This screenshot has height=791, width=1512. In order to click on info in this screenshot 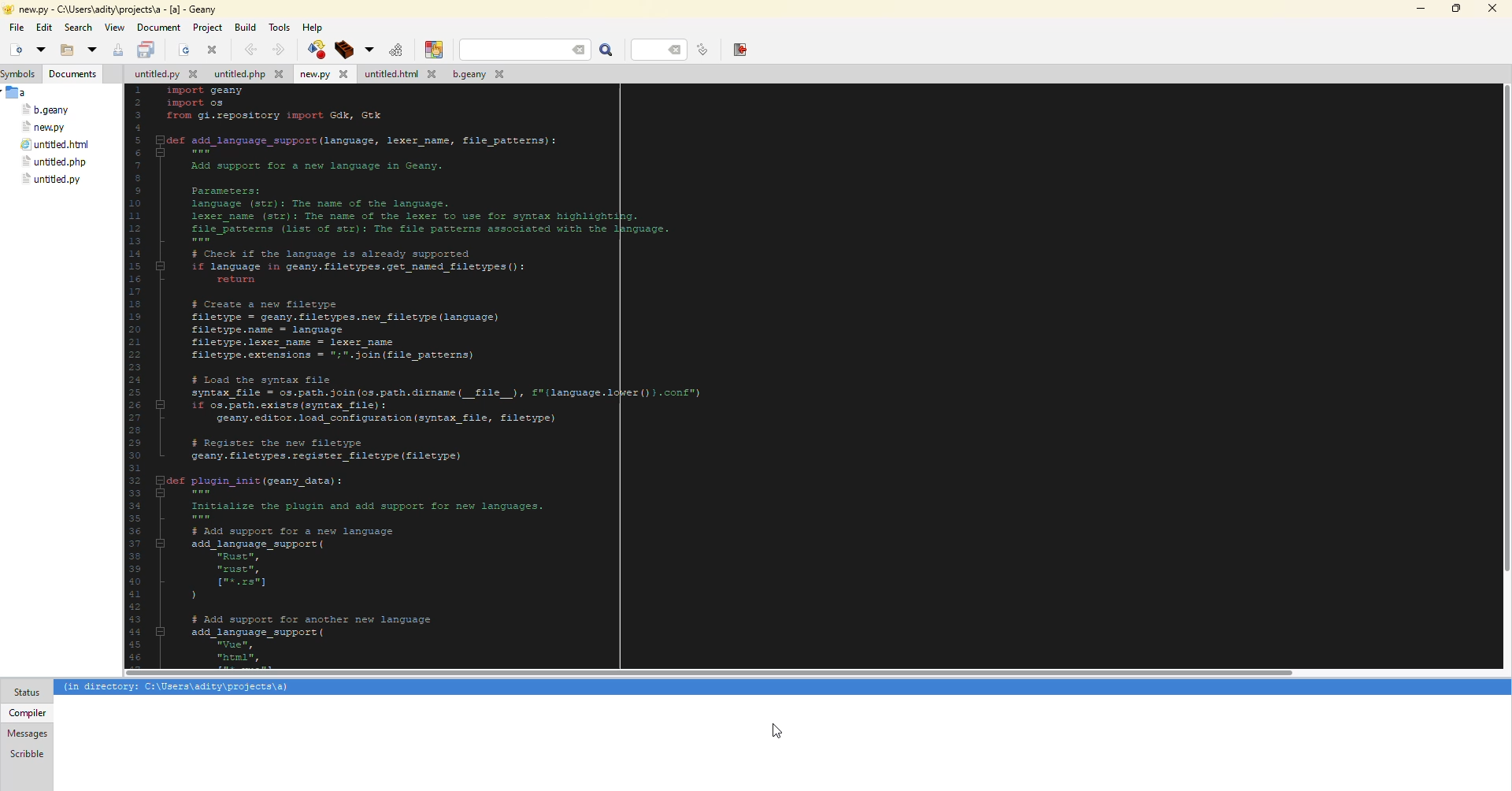, I will do `click(172, 687)`.